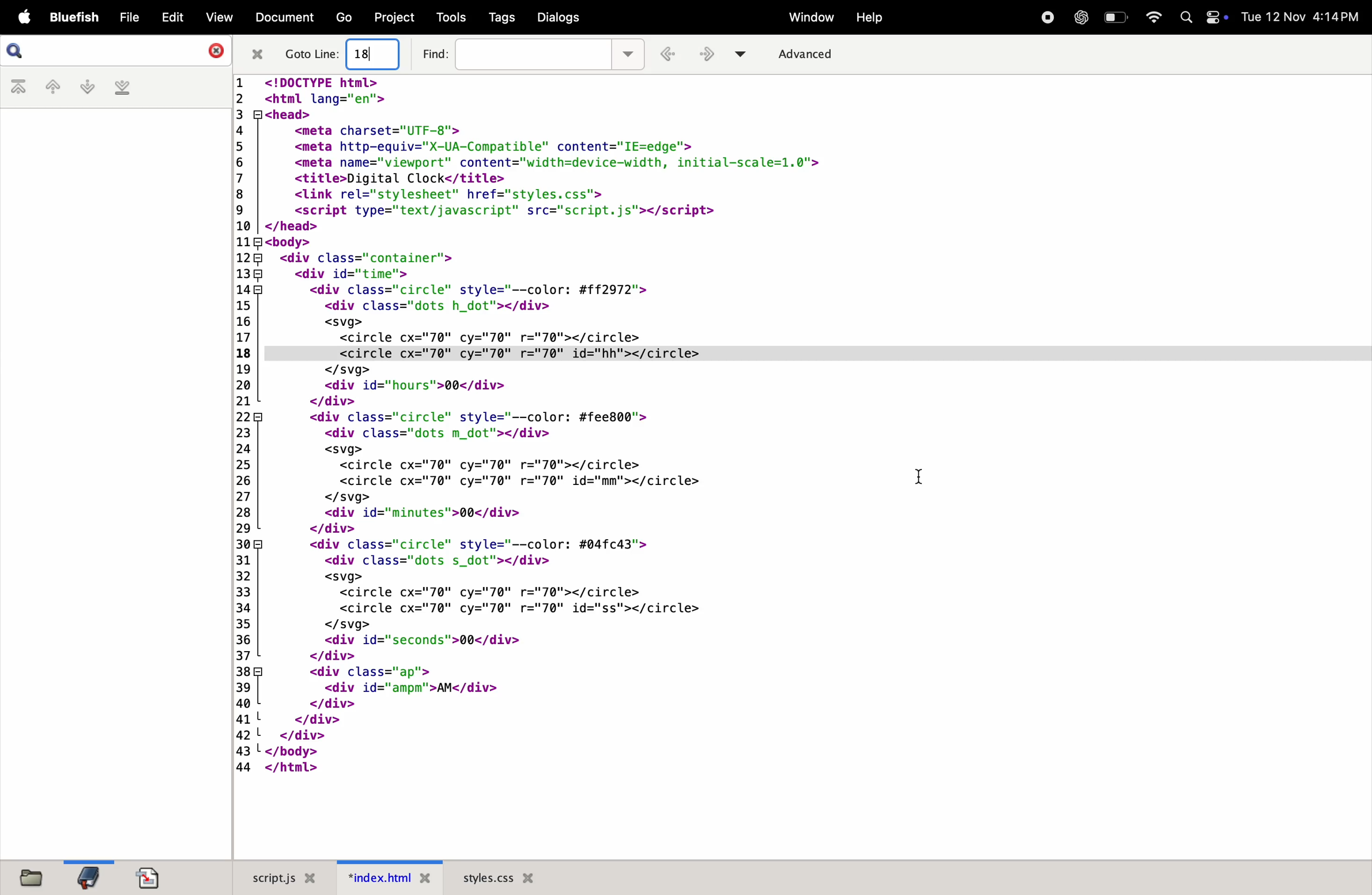 This screenshot has height=895, width=1372. I want to click on date and time, so click(1304, 17).